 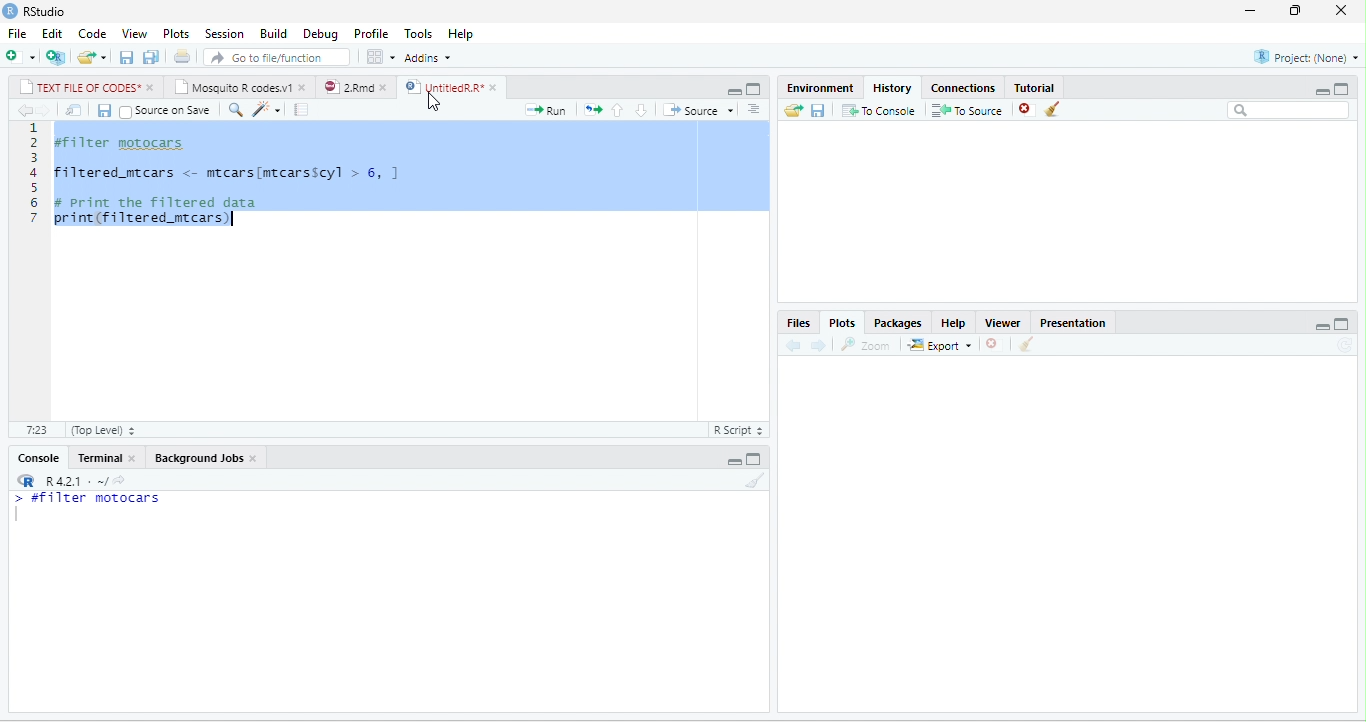 I want to click on code tools, so click(x=267, y=110).